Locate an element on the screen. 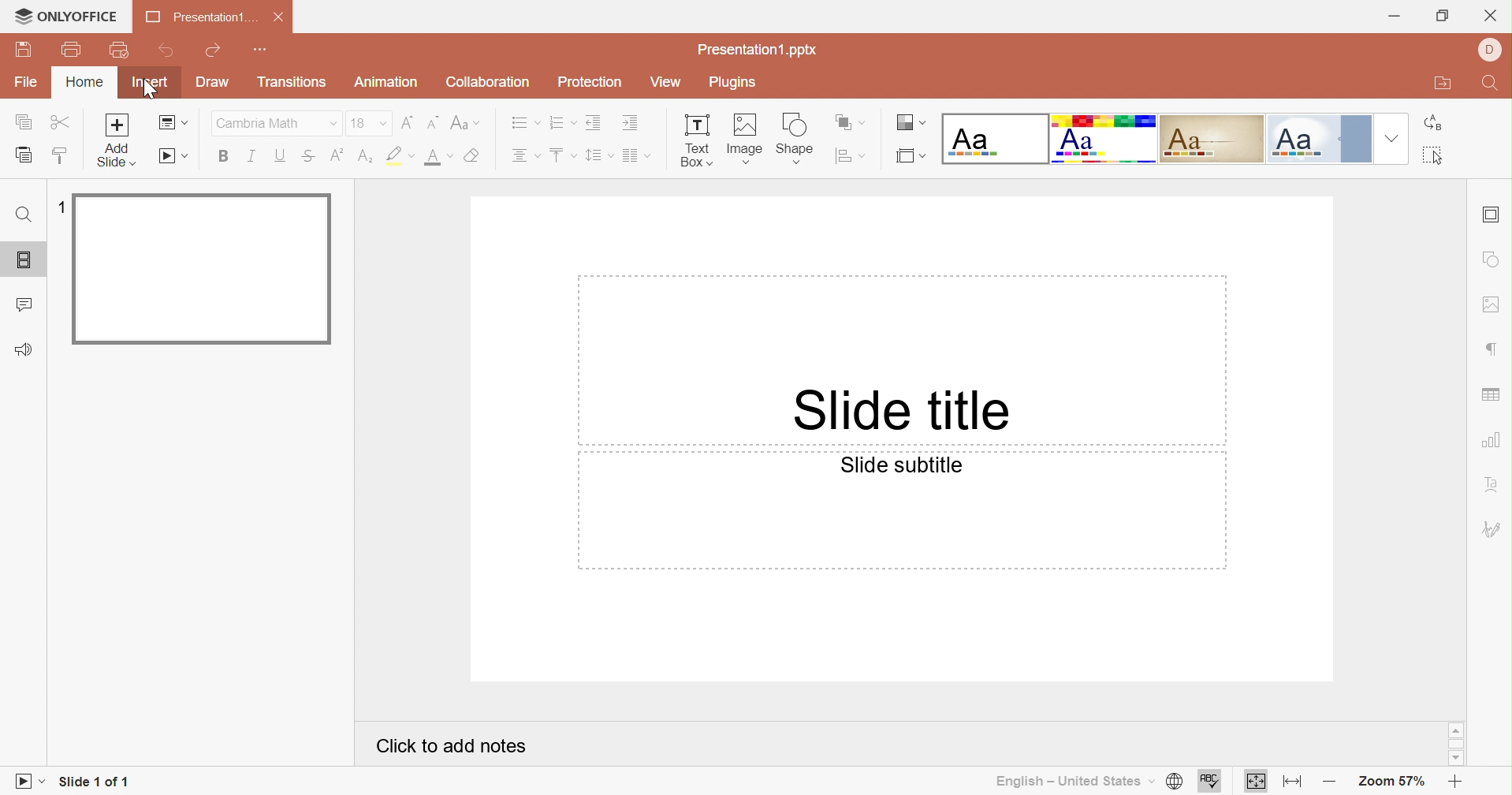 This screenshot has width=1512, height=795. Zoom 57% is located at coordinates (1389, 780).